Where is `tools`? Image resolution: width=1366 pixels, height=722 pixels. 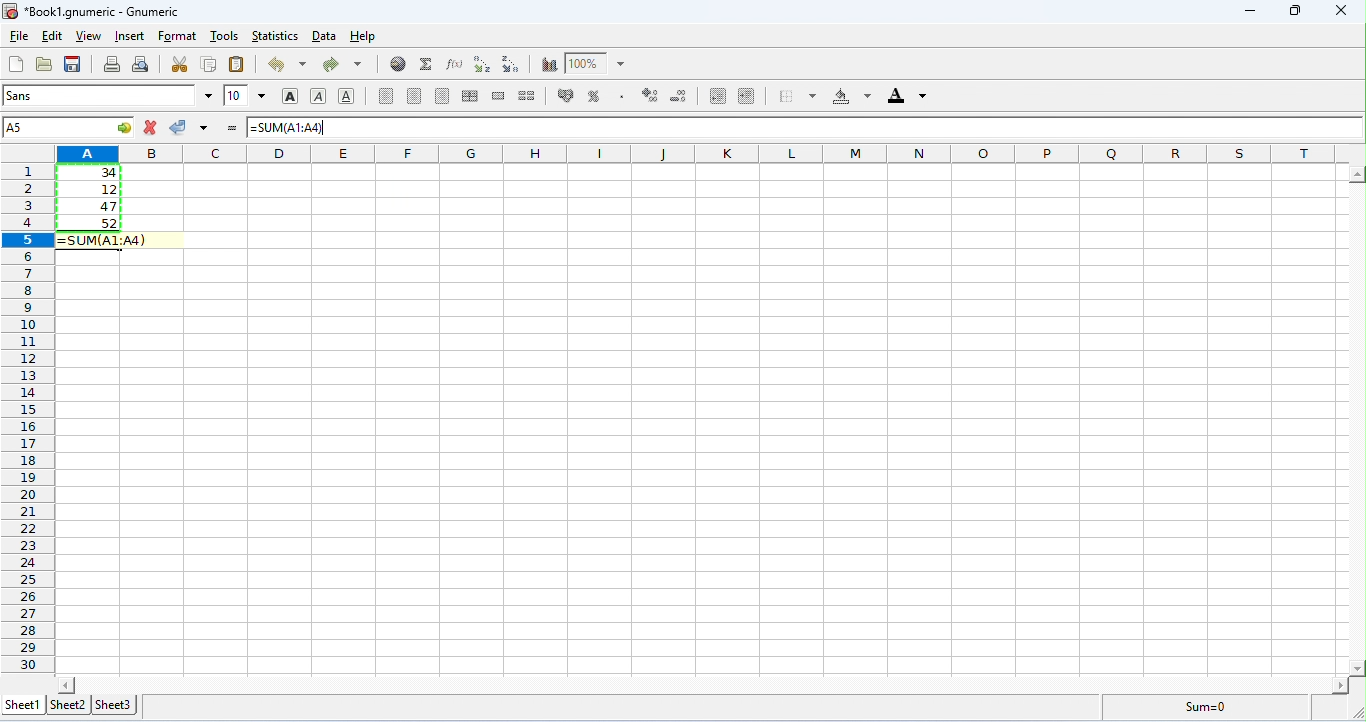
tools is located at coordinates (225, 35).